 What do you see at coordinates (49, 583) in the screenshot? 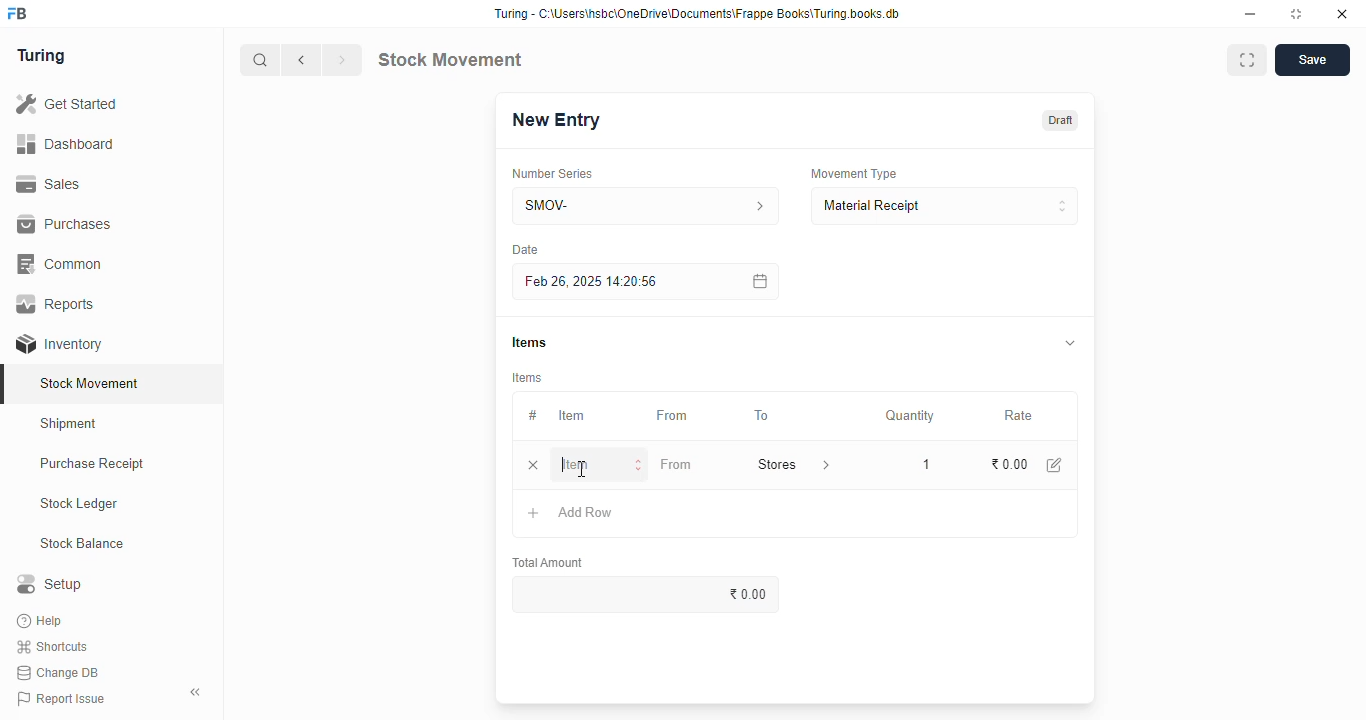
I see `setup` at bounding box center [49, 583].